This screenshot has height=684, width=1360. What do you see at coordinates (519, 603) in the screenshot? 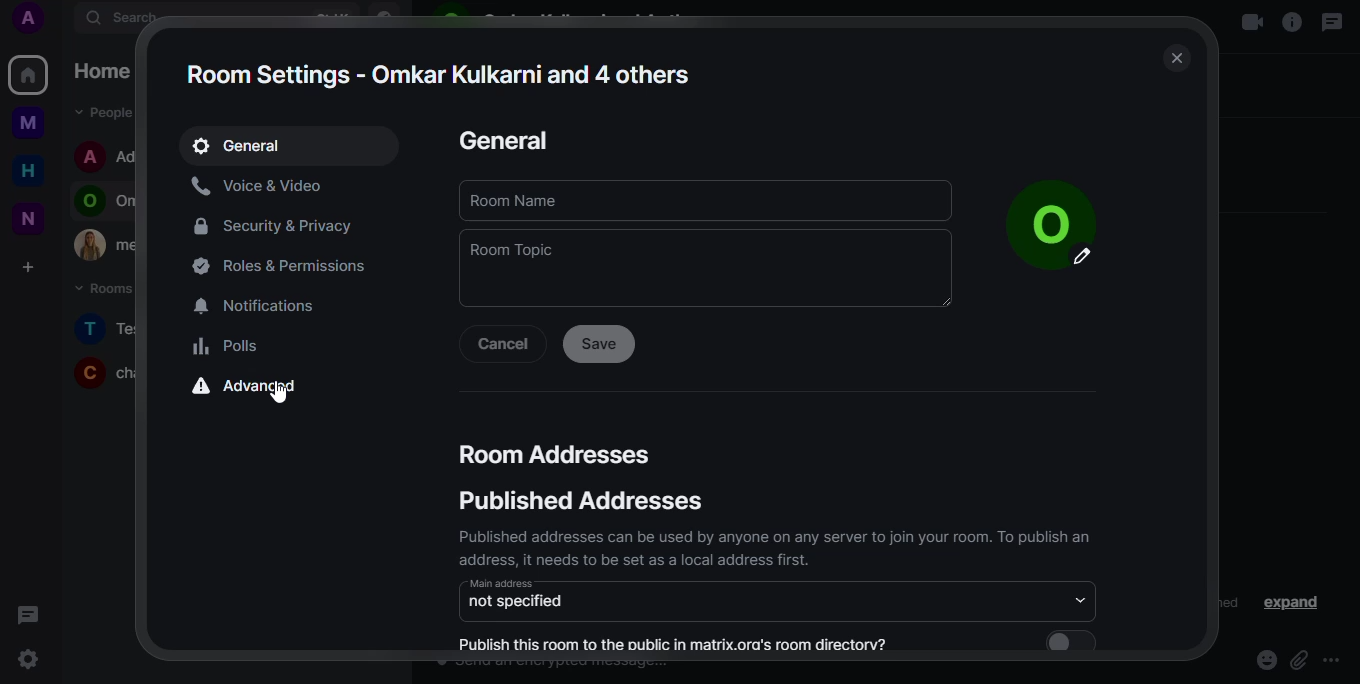
I see `not specified` at bounding box center [519, 603].